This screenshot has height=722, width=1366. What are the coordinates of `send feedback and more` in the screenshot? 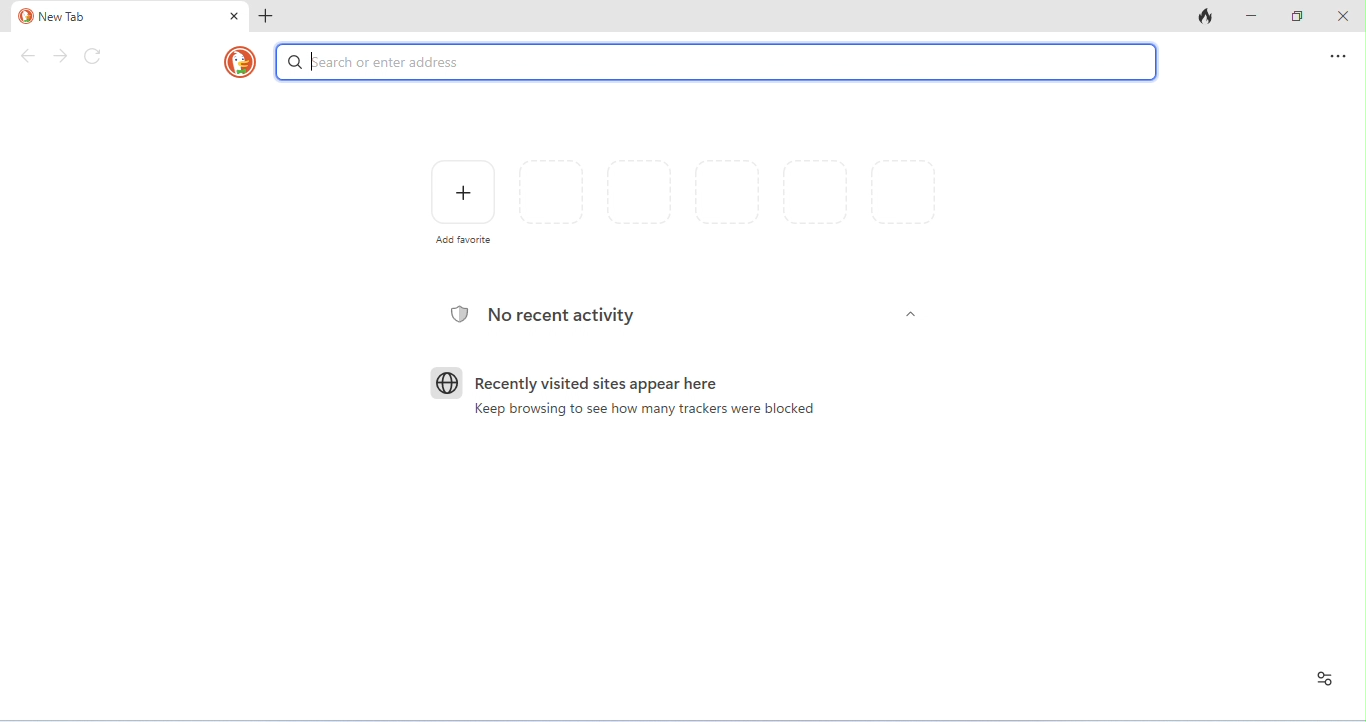 It's located at (1338, 56).